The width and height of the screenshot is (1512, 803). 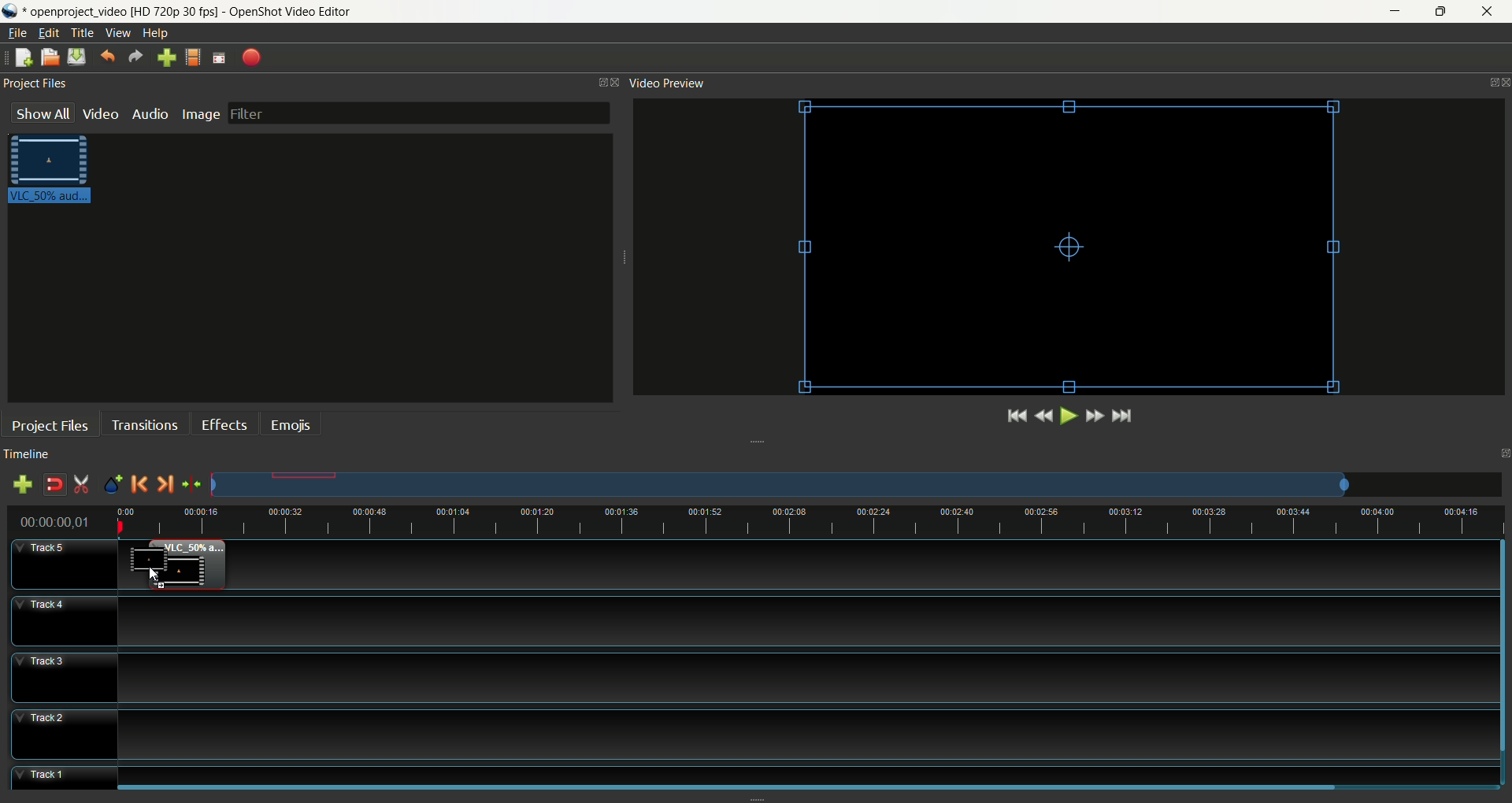 What do you see at coordinates (76, 56) in the screenshot?
I see `save project` at bounding box center [76, 56].